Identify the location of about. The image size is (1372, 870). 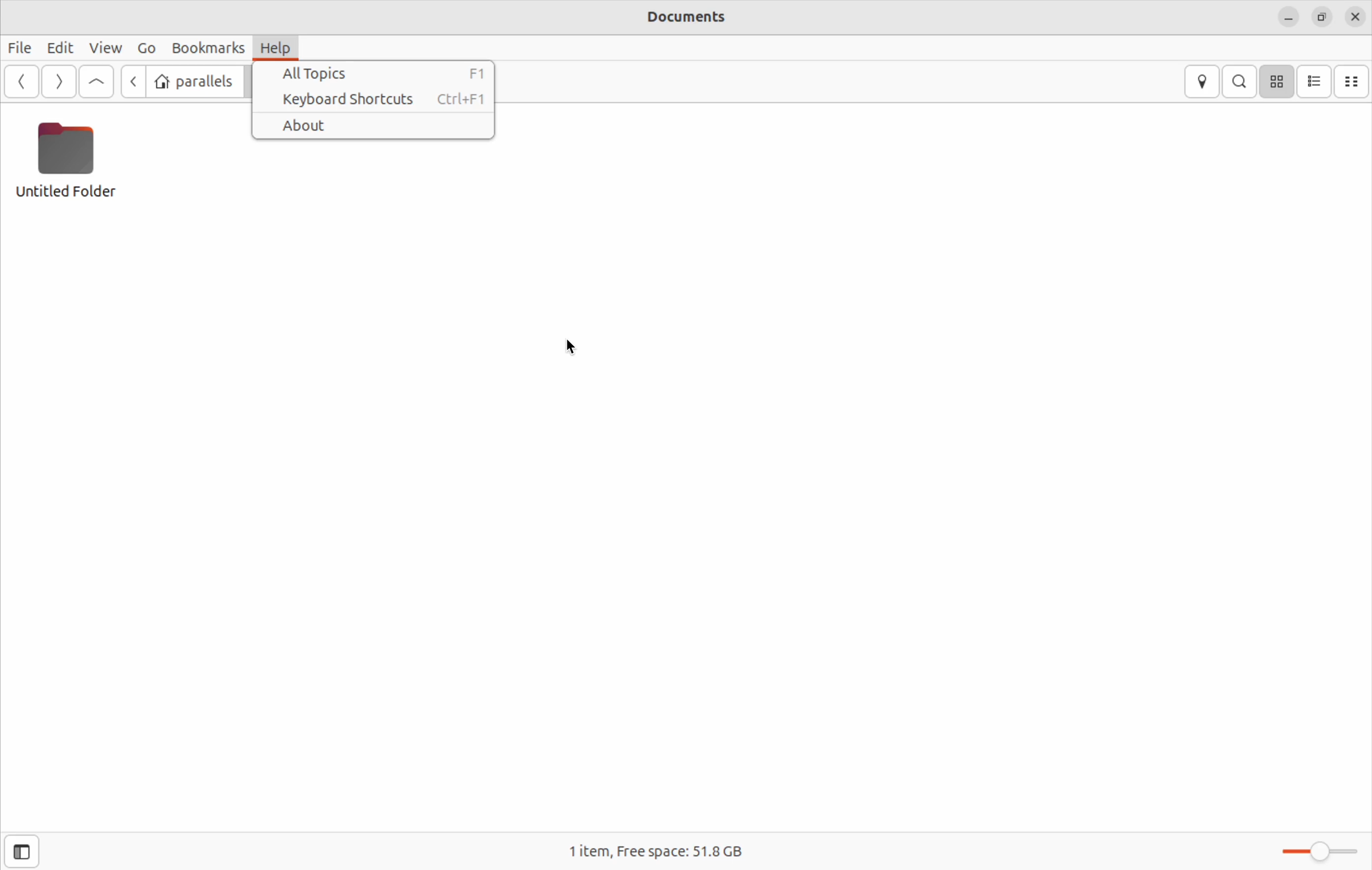
(377, 126).